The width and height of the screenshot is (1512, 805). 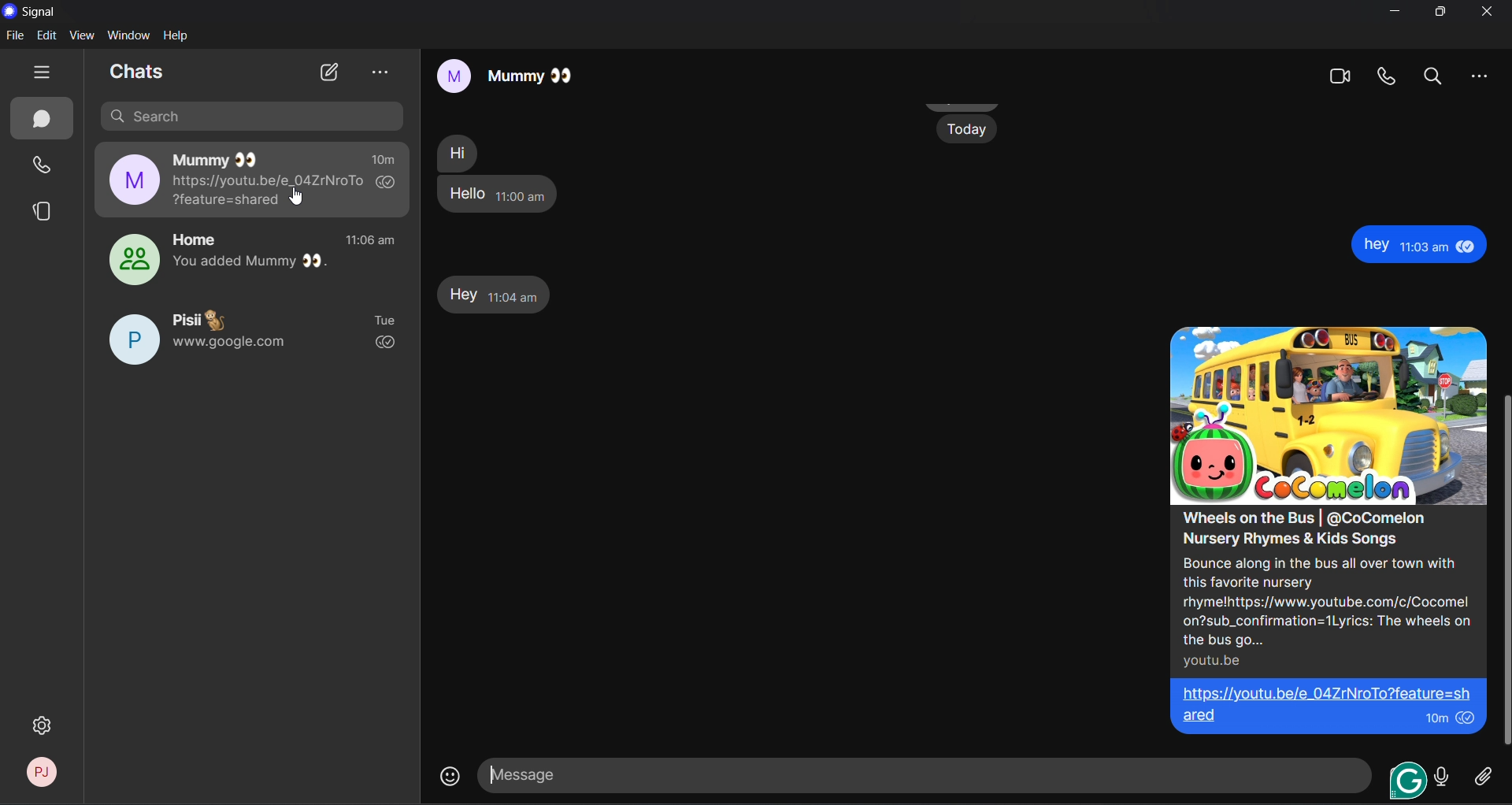 What do you see at coordinates (1406, 779) in the screenshot?
I see `grammarly` at bounding box center [1406, 779].